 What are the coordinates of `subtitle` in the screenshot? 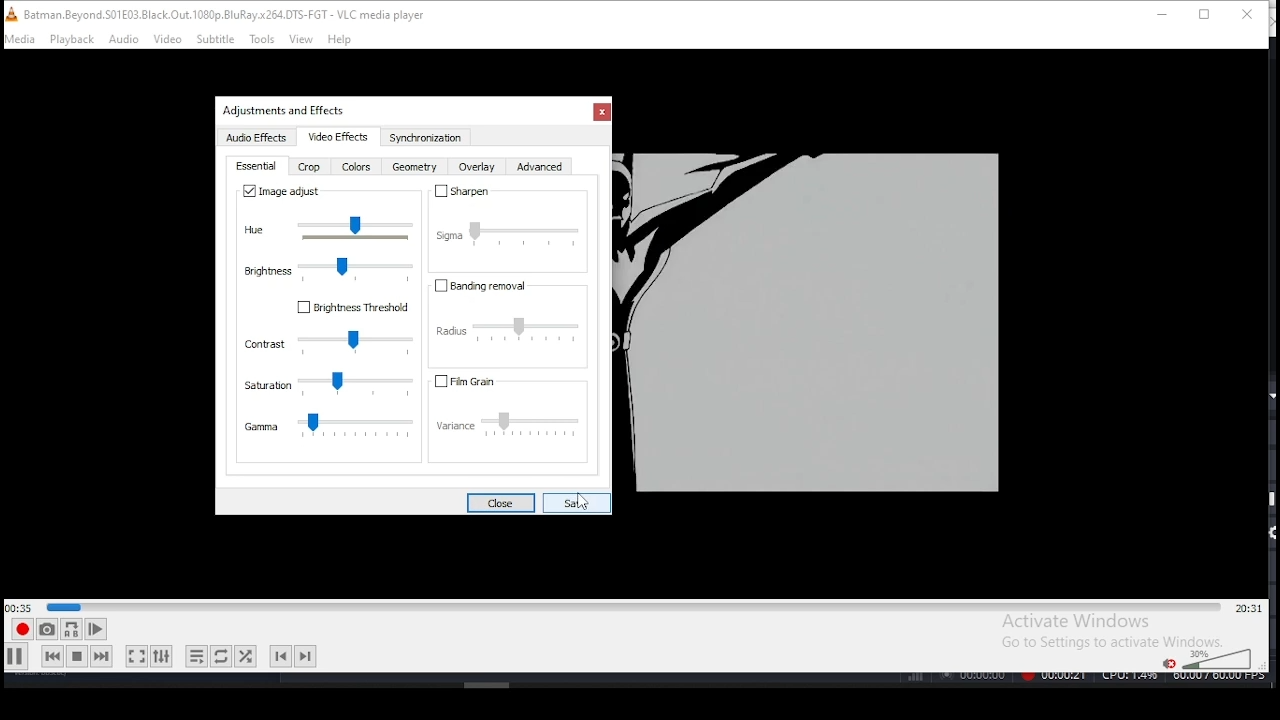 It's located at (216, 40).